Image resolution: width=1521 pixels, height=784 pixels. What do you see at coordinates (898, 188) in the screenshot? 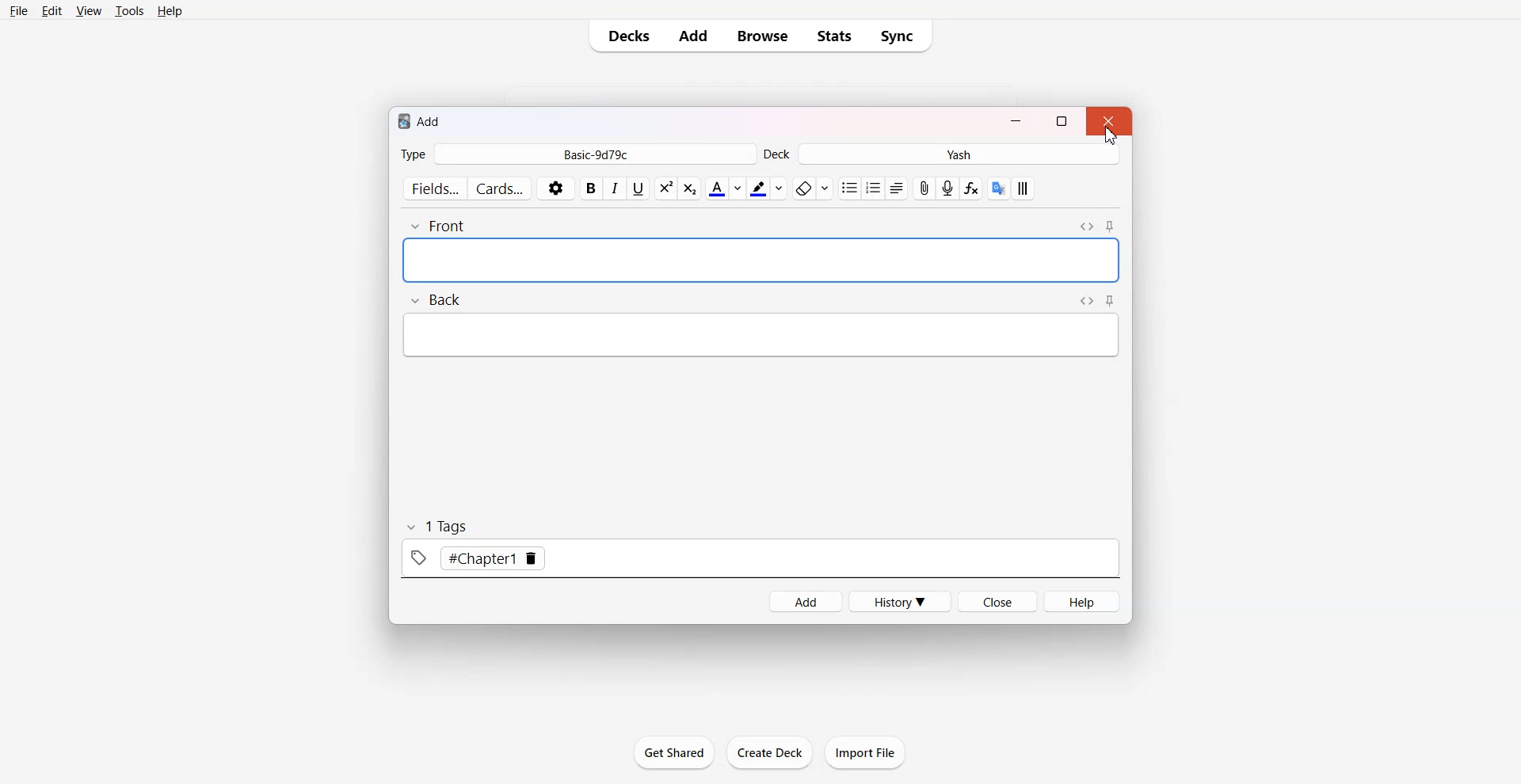
I see `Alignment` at bounding box center [898, 188].